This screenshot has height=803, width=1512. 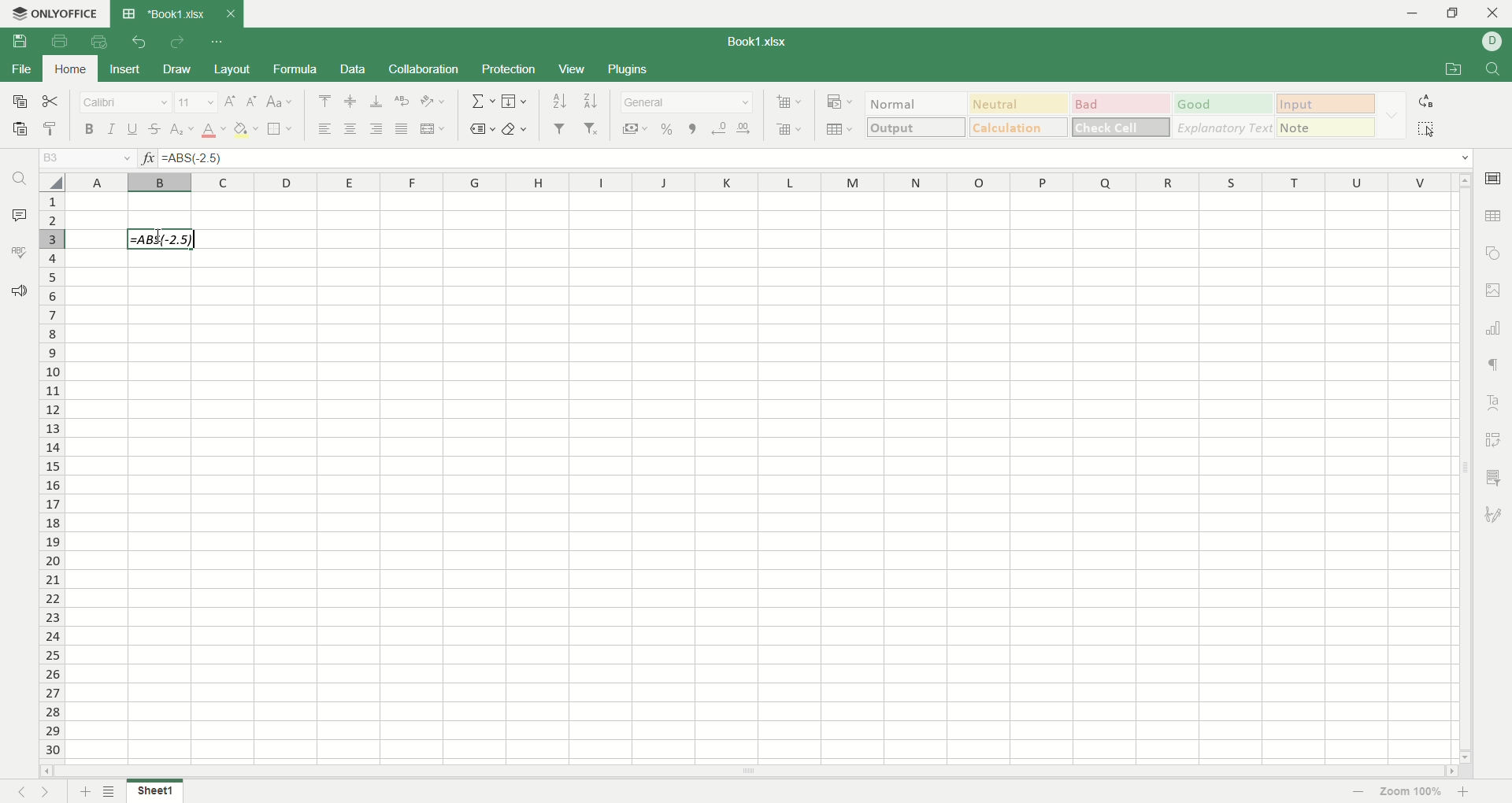 What do you see at coordinates (231, 102) in the screenshot?
I see `increase font size` at bounding box center [231, 102].